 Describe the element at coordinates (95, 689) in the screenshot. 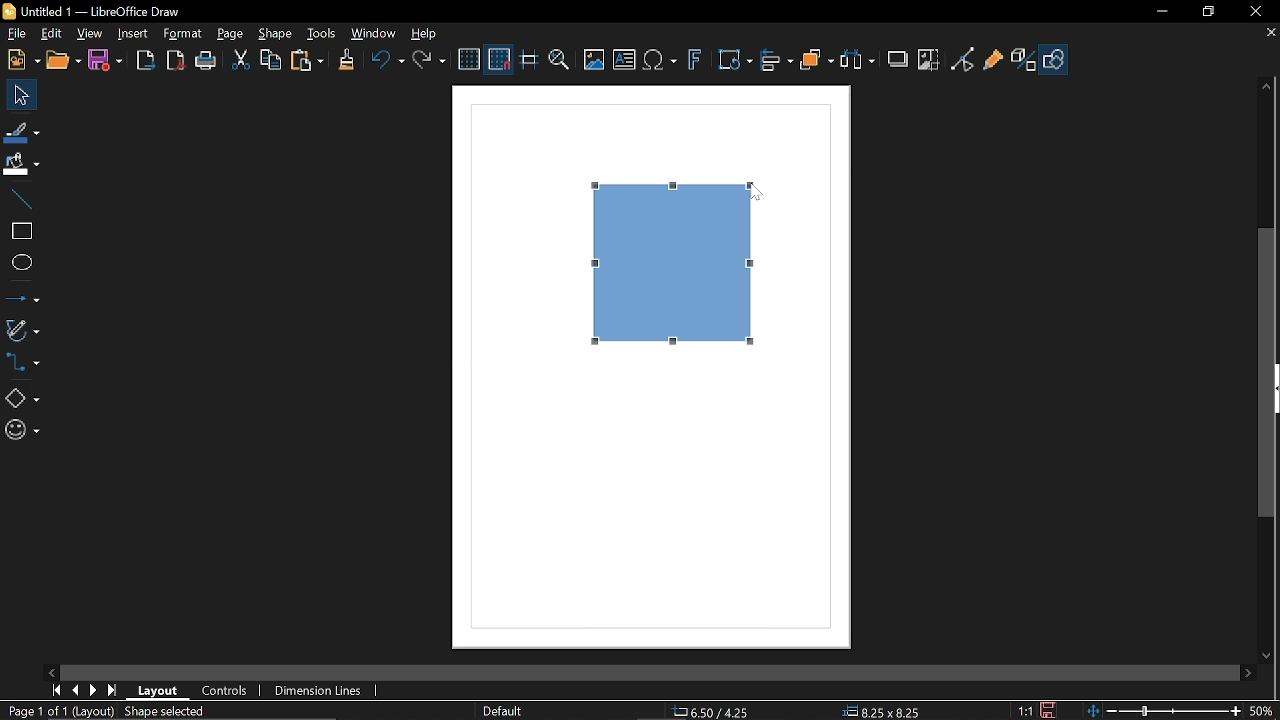

I see `next page` at that location.